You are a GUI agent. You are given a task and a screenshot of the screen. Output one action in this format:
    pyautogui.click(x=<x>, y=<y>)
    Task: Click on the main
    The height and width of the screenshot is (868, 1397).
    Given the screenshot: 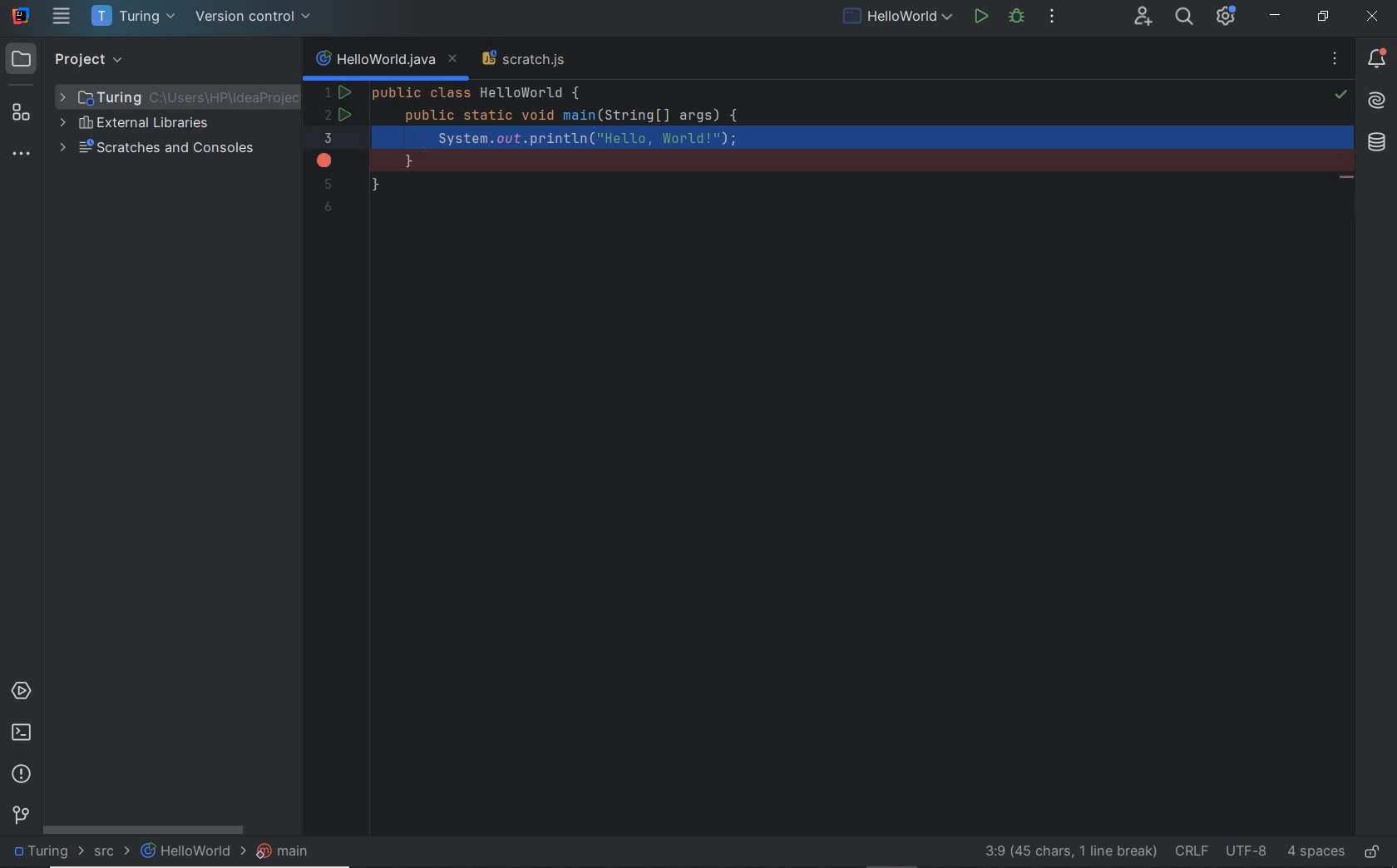 What is the action you would take?
    pyautogui.click(x=288, y=853)
    